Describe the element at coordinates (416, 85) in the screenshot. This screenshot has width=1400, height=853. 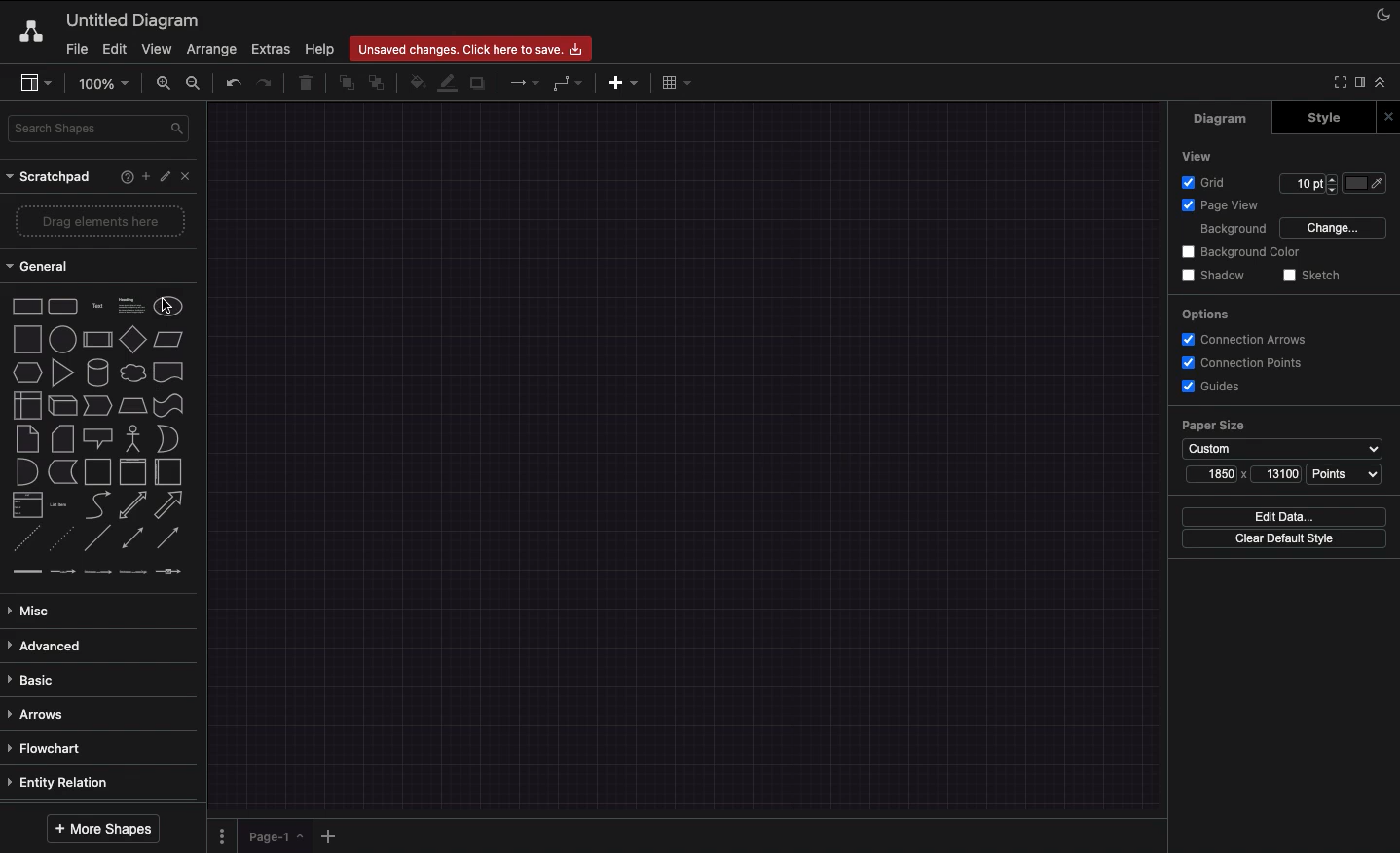
I see `Fill color` at that location.